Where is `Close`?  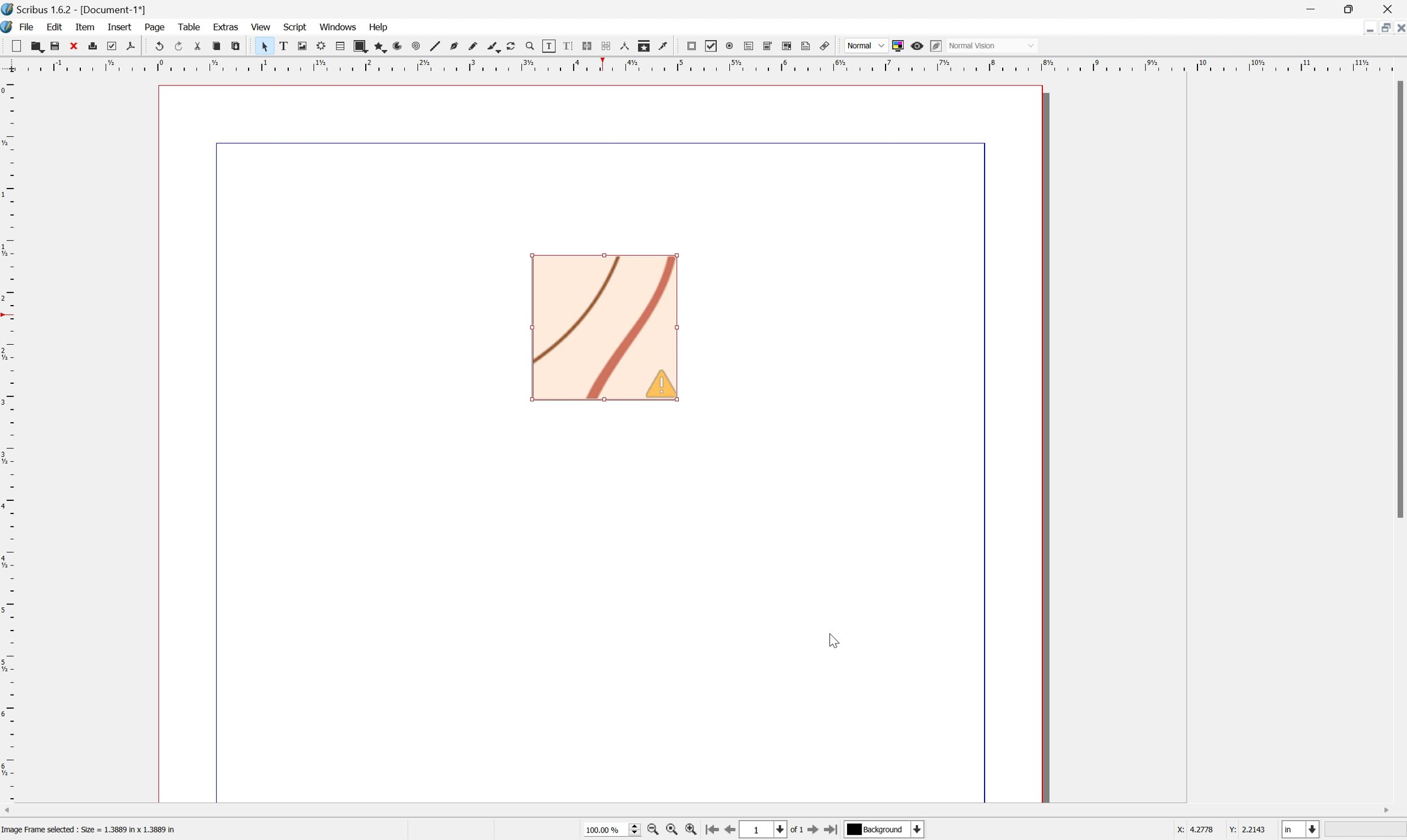
Close is located at coordinates (1390, 9).